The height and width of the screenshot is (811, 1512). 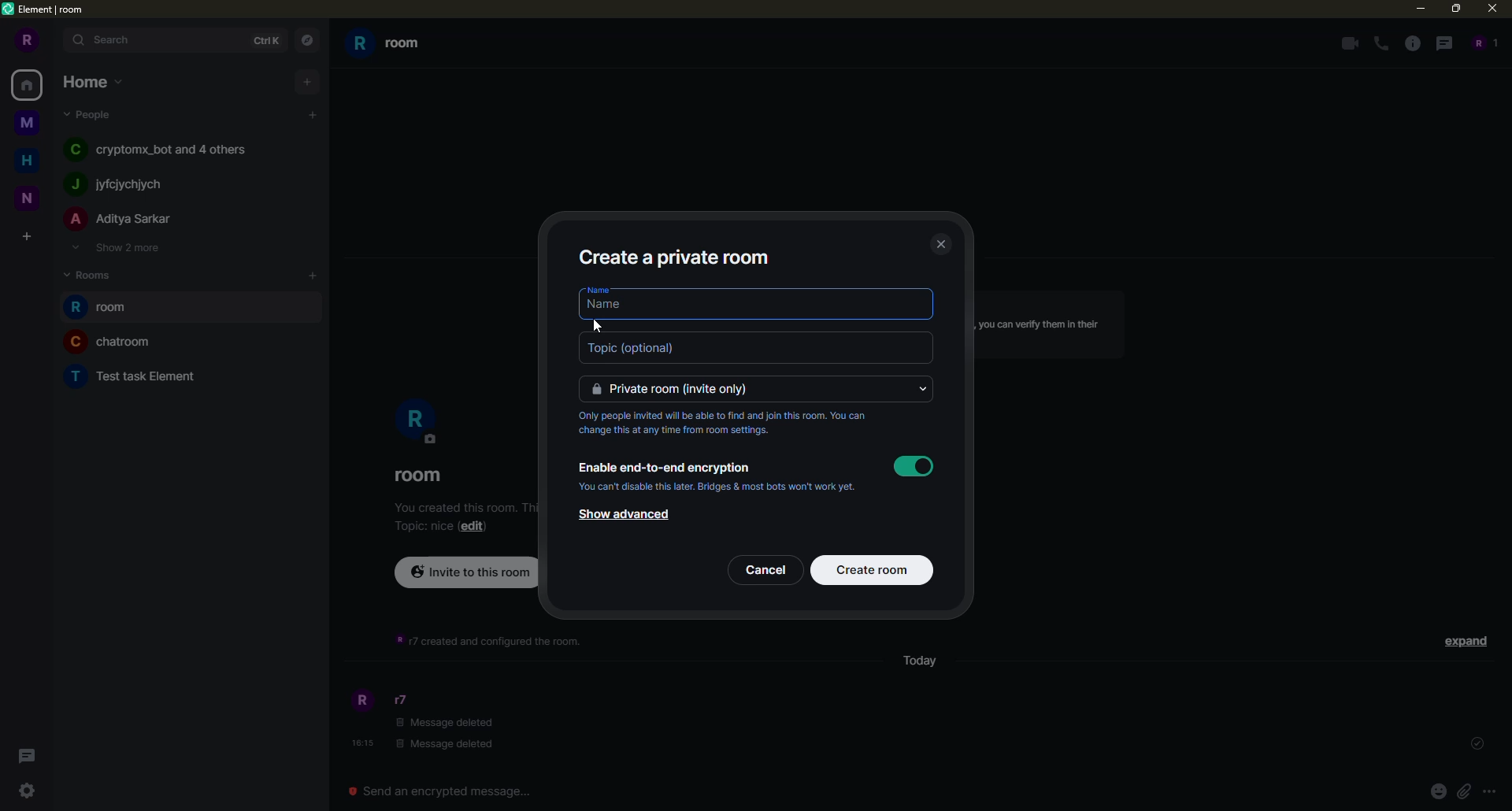 What do you see at coordinates (1491, 8) in the screenshot?
I see `close` at bounding box center [1491, 8].